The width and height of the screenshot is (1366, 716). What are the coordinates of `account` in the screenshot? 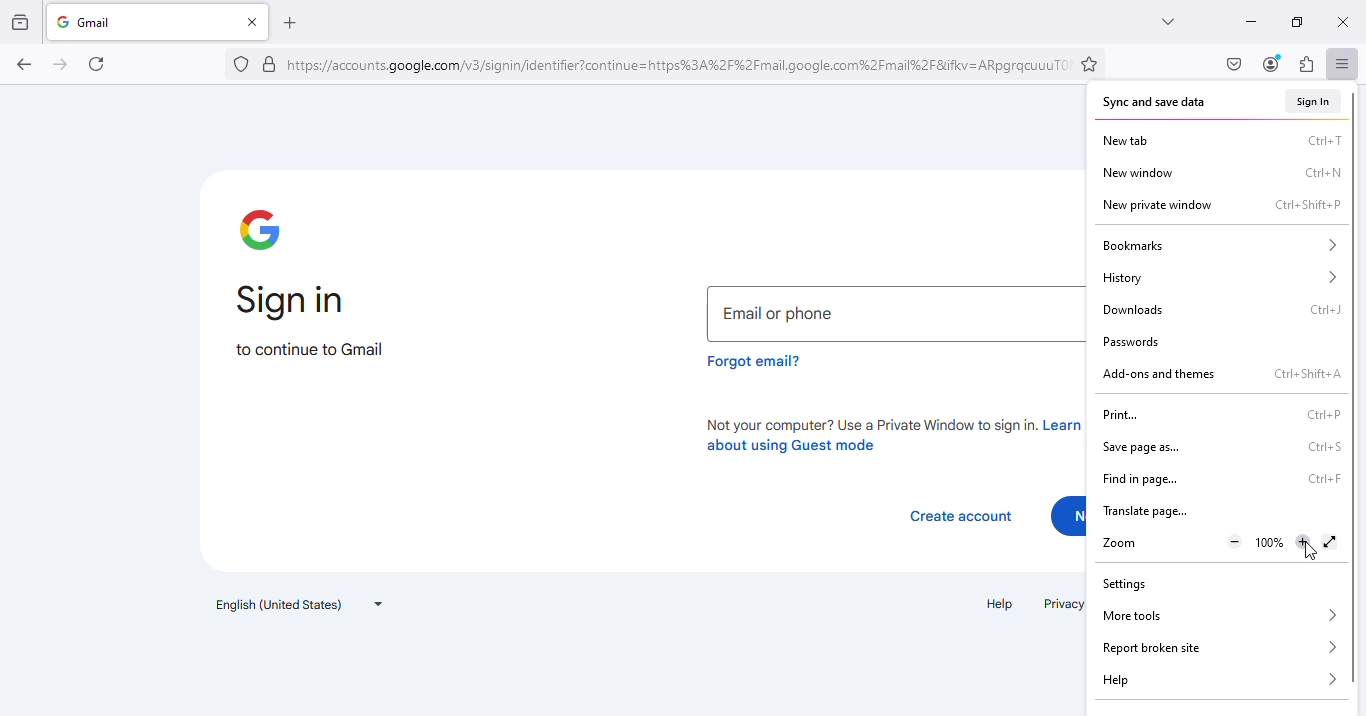 It's located at (1271, 65).